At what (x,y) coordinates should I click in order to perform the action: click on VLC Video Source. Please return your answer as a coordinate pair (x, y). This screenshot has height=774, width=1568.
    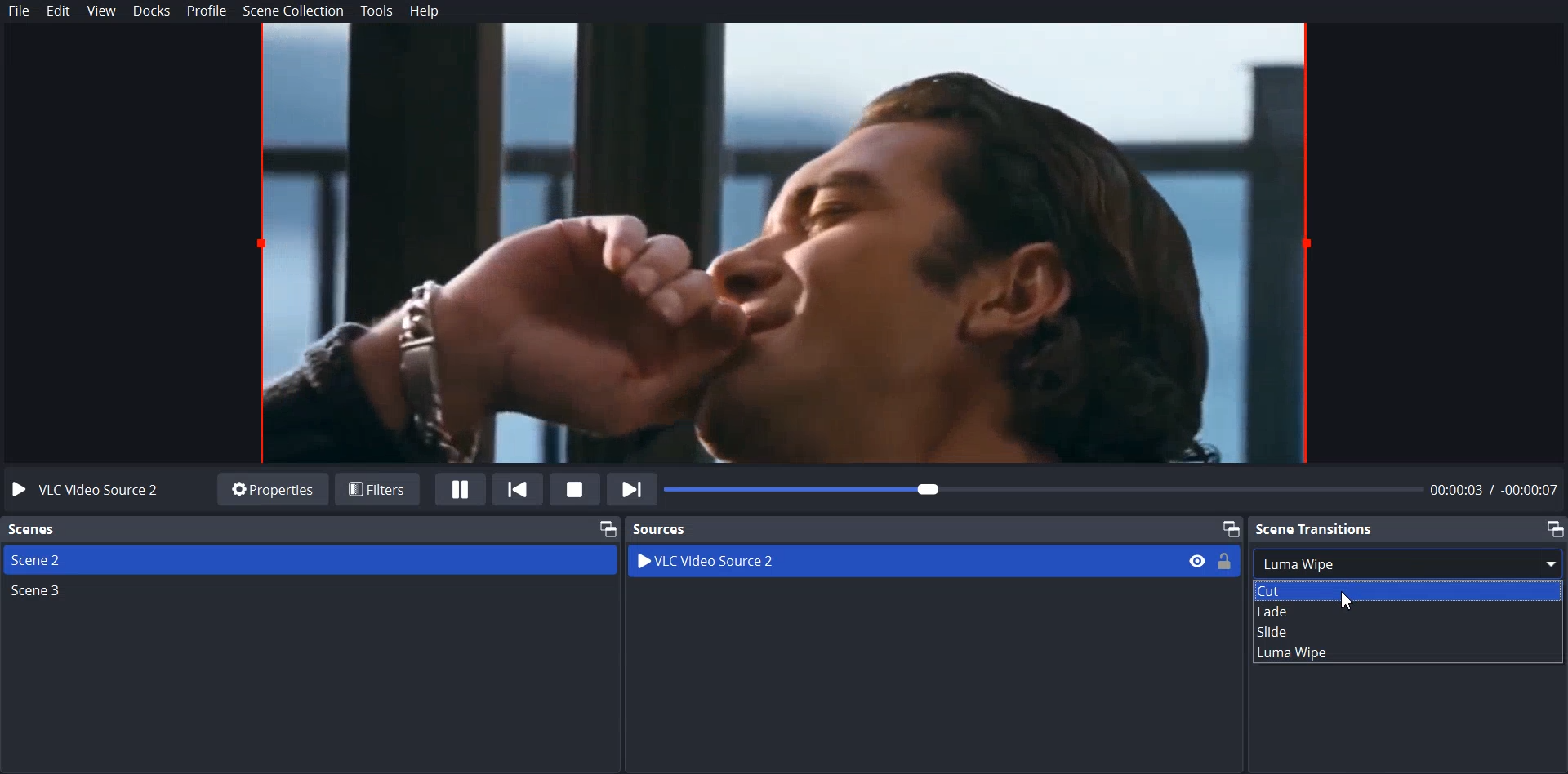
    Looking at the image, I should click on (872, 561).